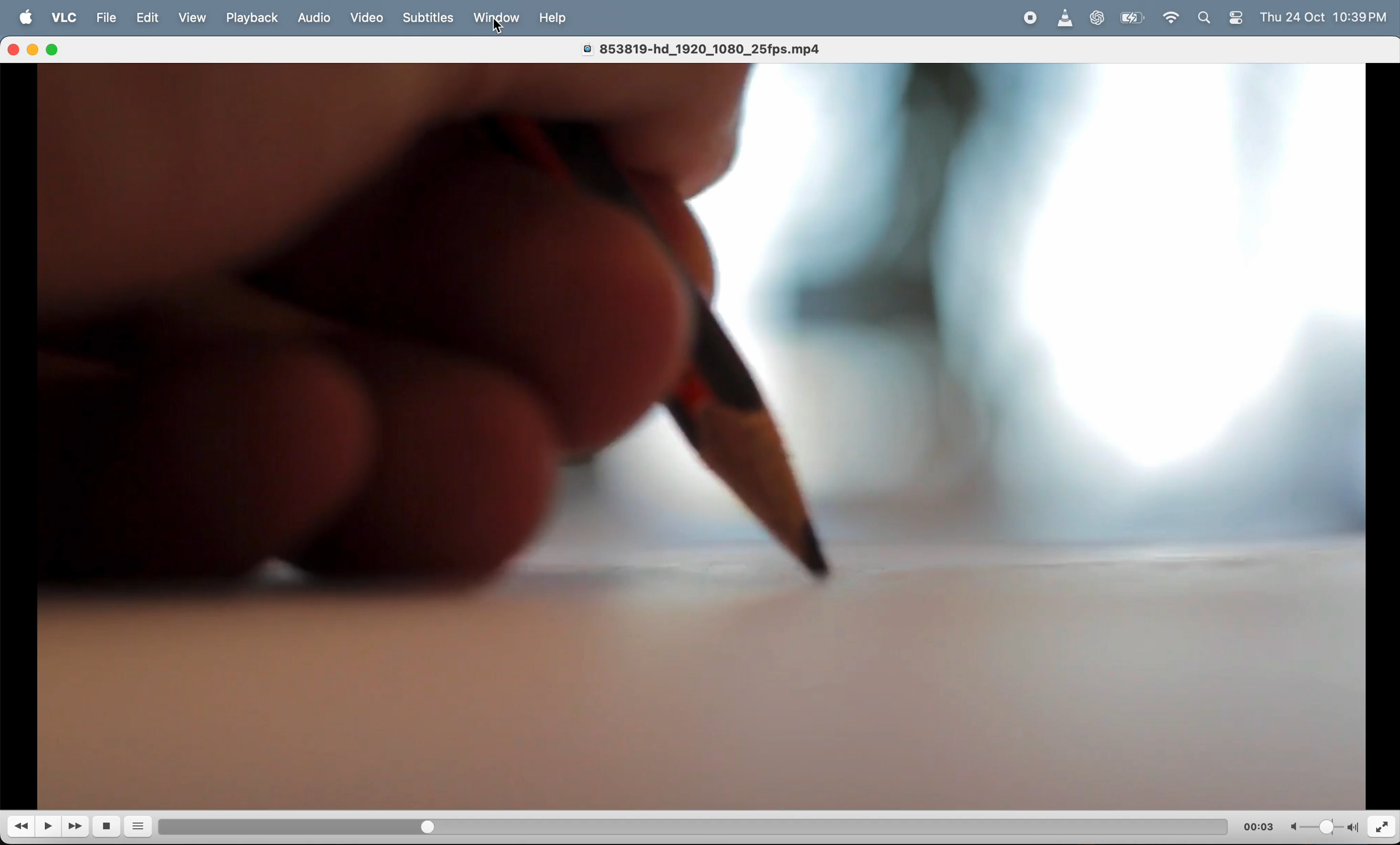 The width and height of the screenshot is (1400, 845). I want to click on vlc icon, so click(1065, 19).